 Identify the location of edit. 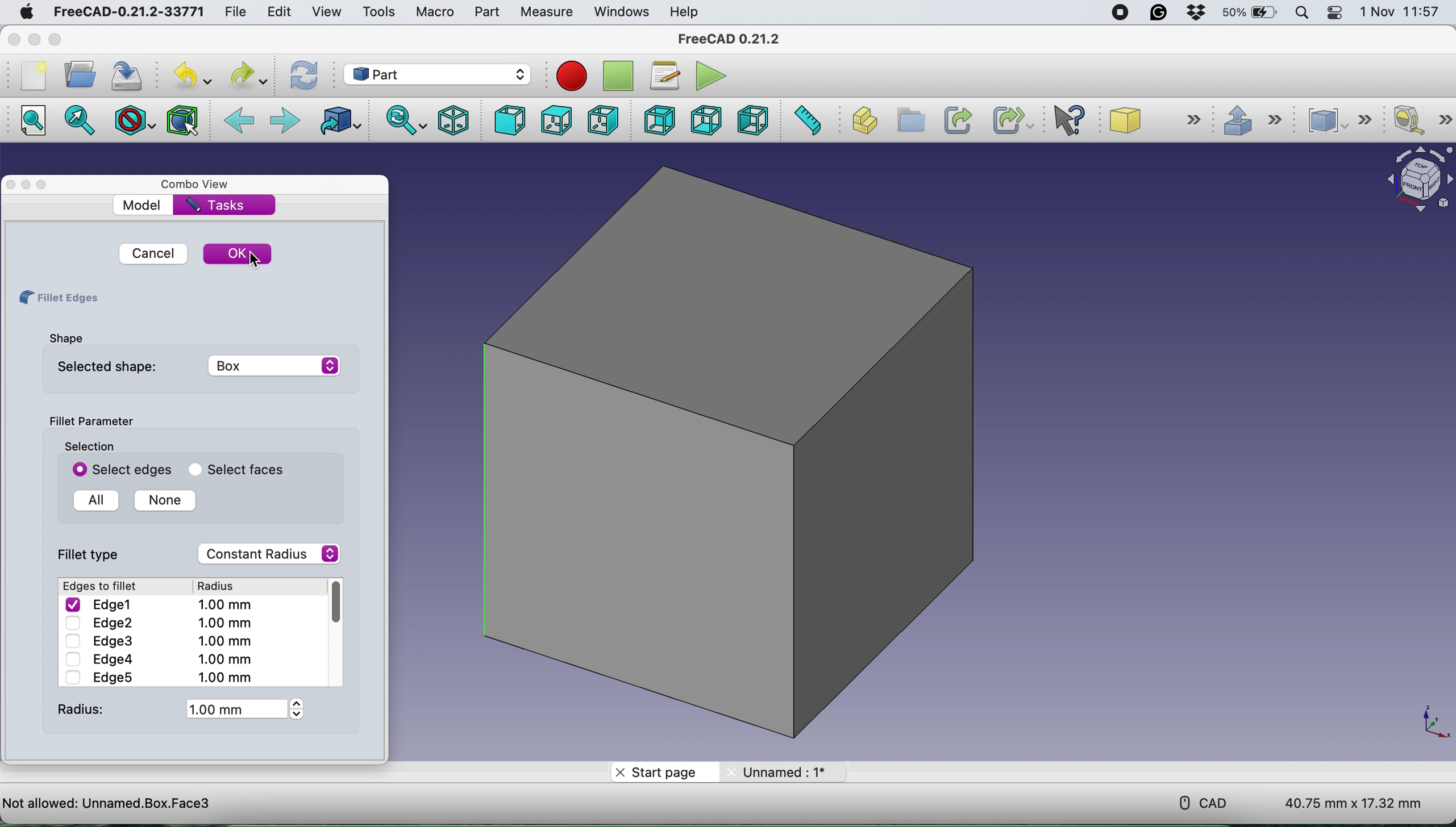
(278, 12).